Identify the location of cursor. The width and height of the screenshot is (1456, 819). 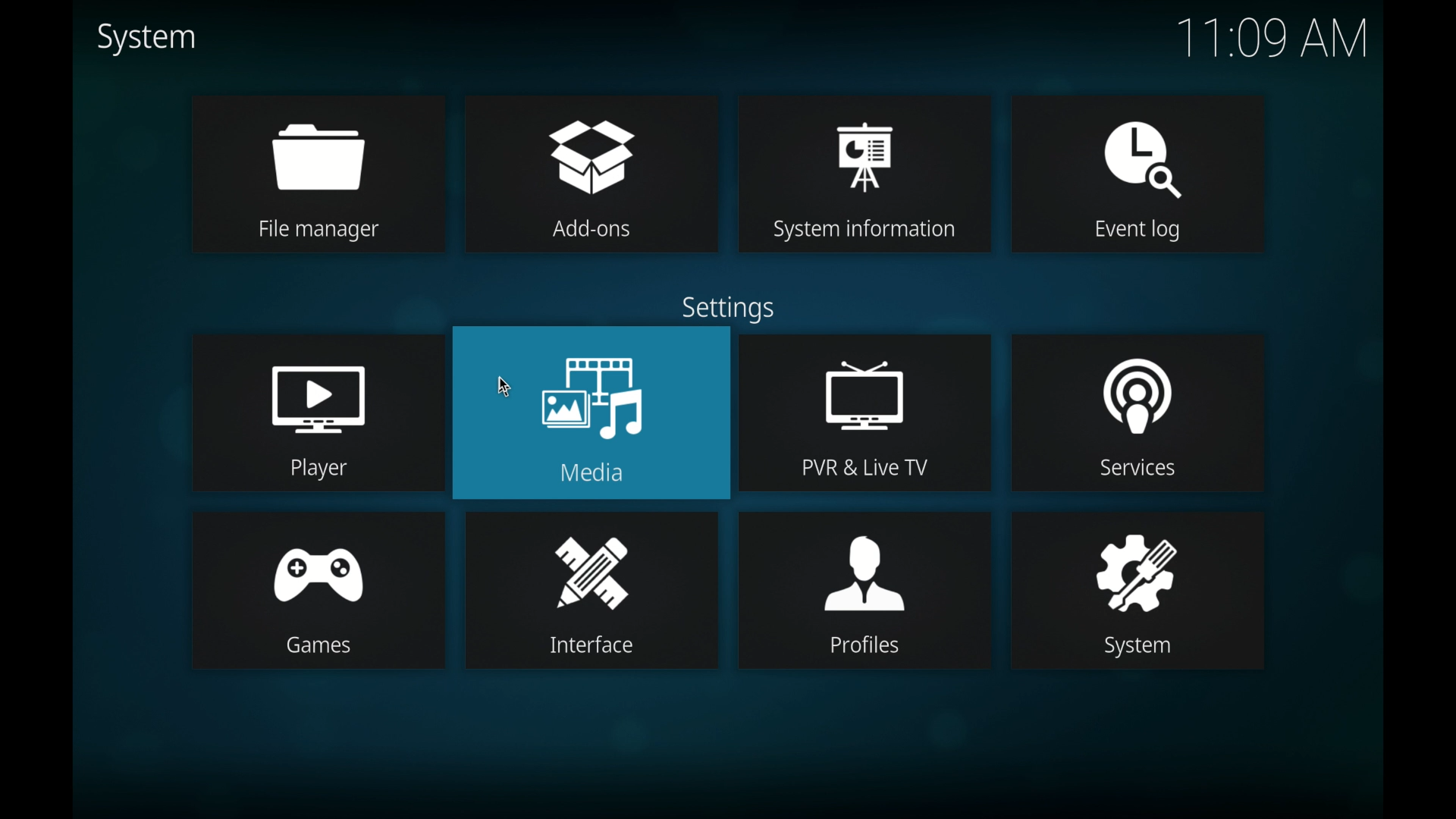
(505, 386).